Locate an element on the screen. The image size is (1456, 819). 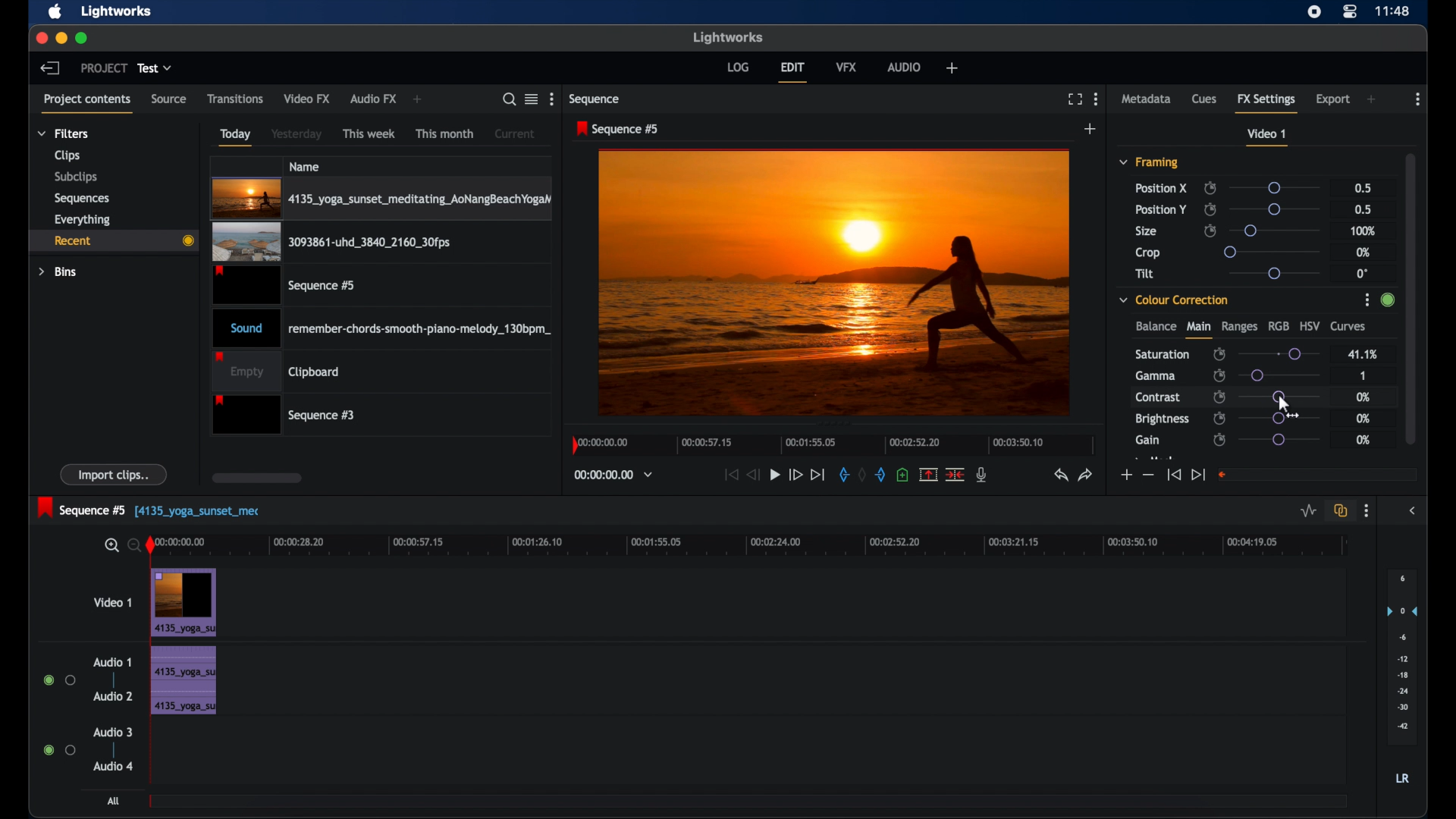
gain is located at coordinates (1147, 440).